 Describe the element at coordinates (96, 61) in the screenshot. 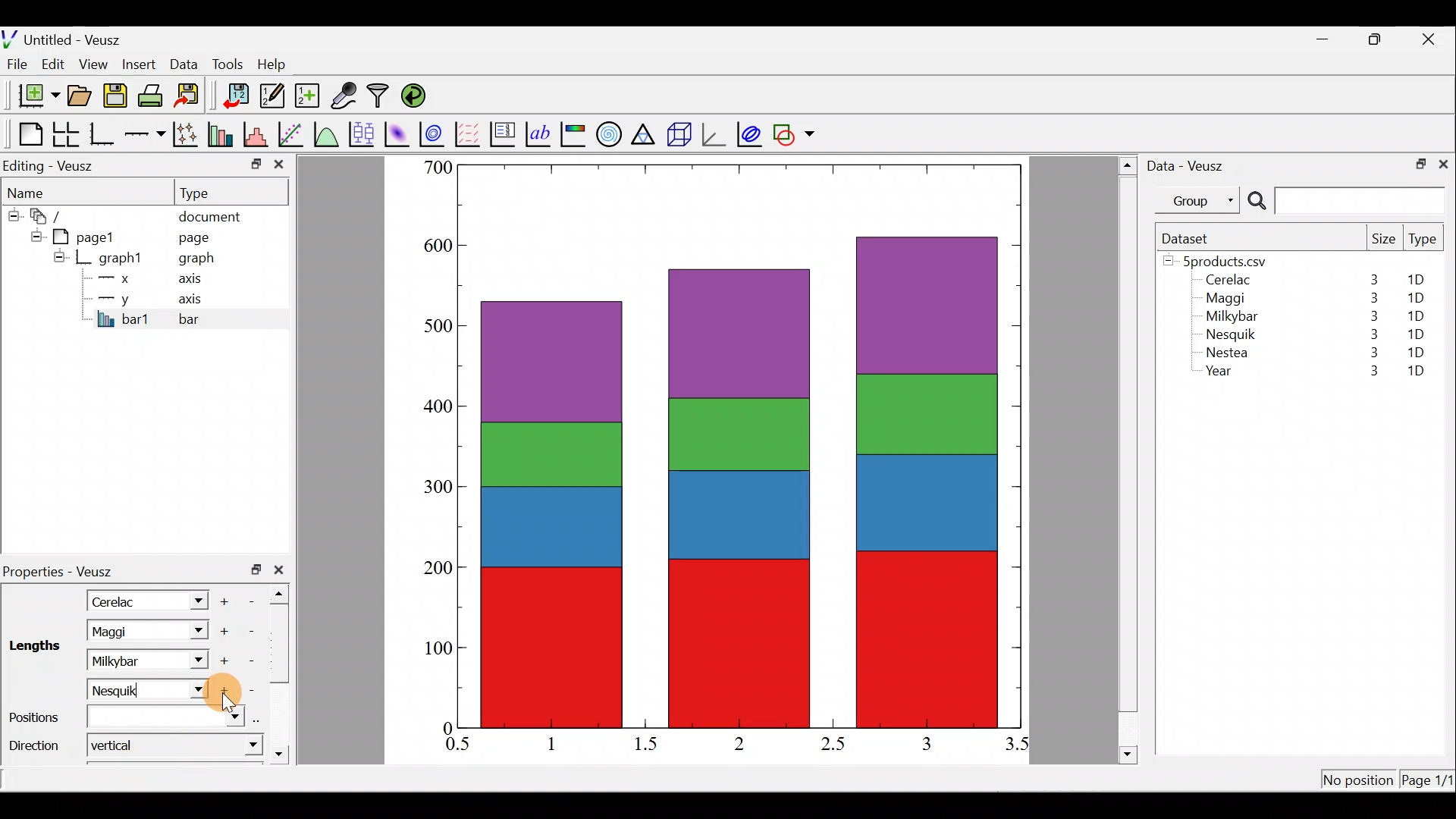

I see `View` at that location.